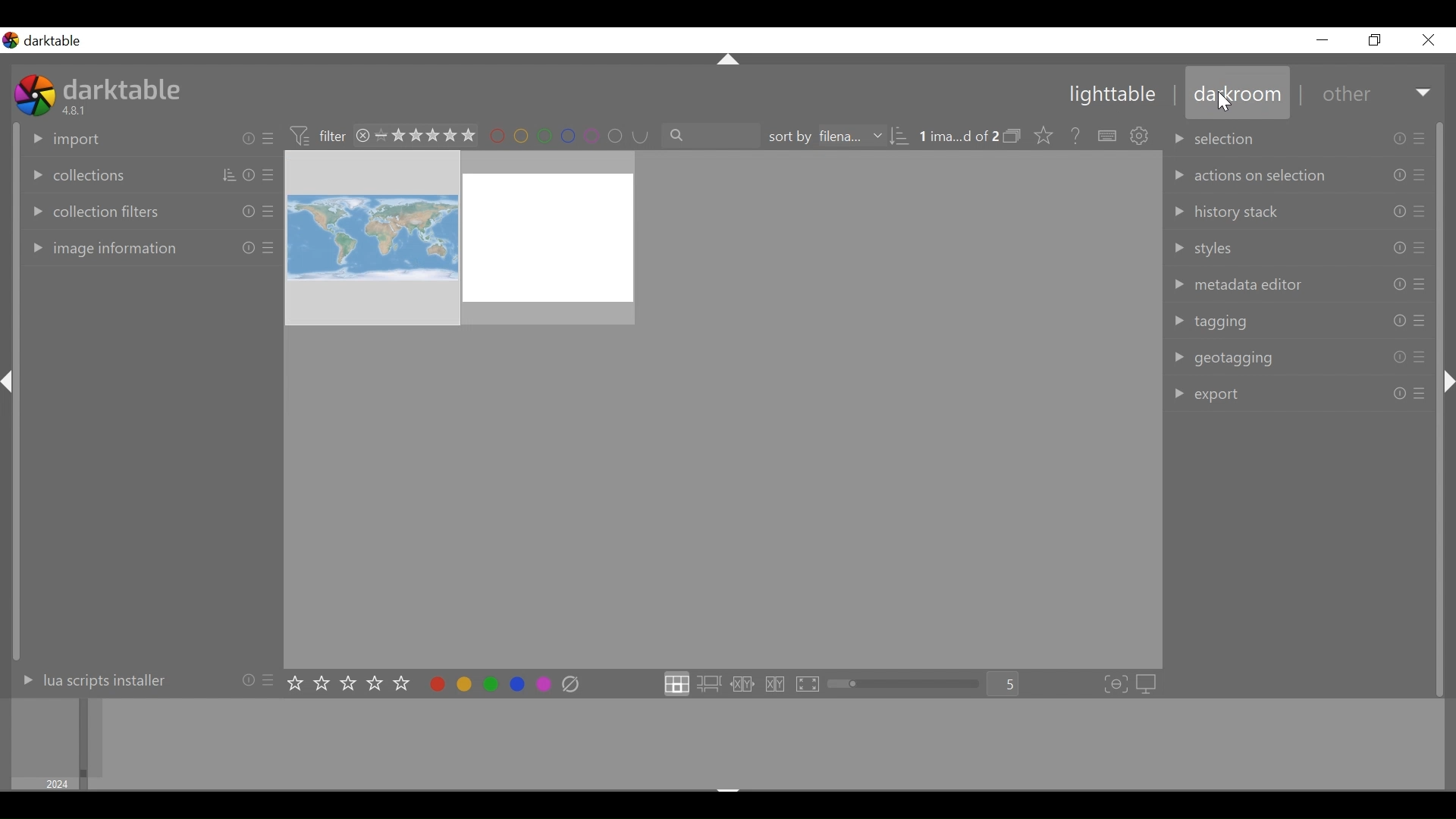 Image resolution: width=1456 pixels, height=819 pixels. What do you see at coordinates (743, 685) in the screenshot?
I see `click to enter culling layout in fixed mode` at bounding box center [743, 685].